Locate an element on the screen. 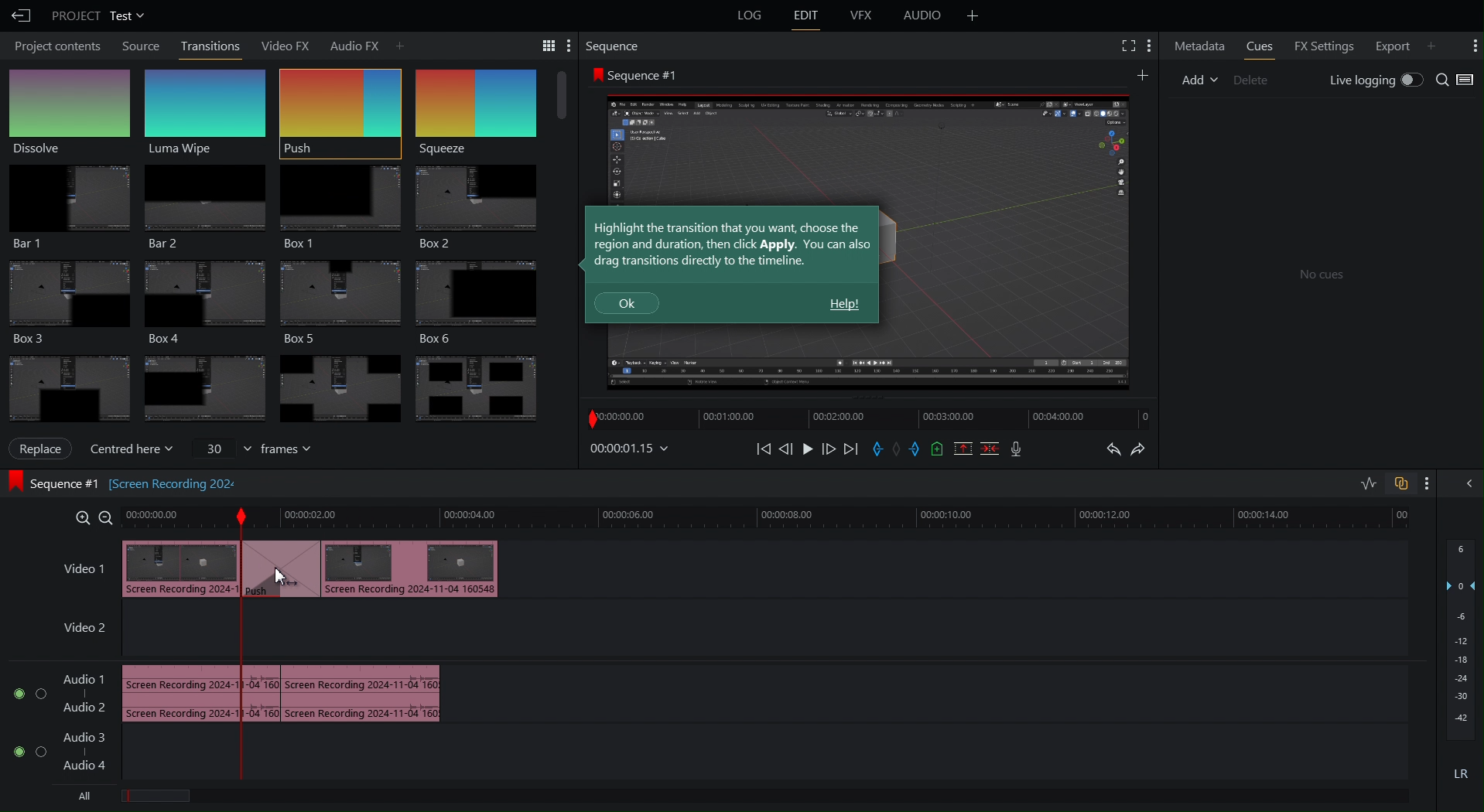  value is located at coordinates (221, 446).